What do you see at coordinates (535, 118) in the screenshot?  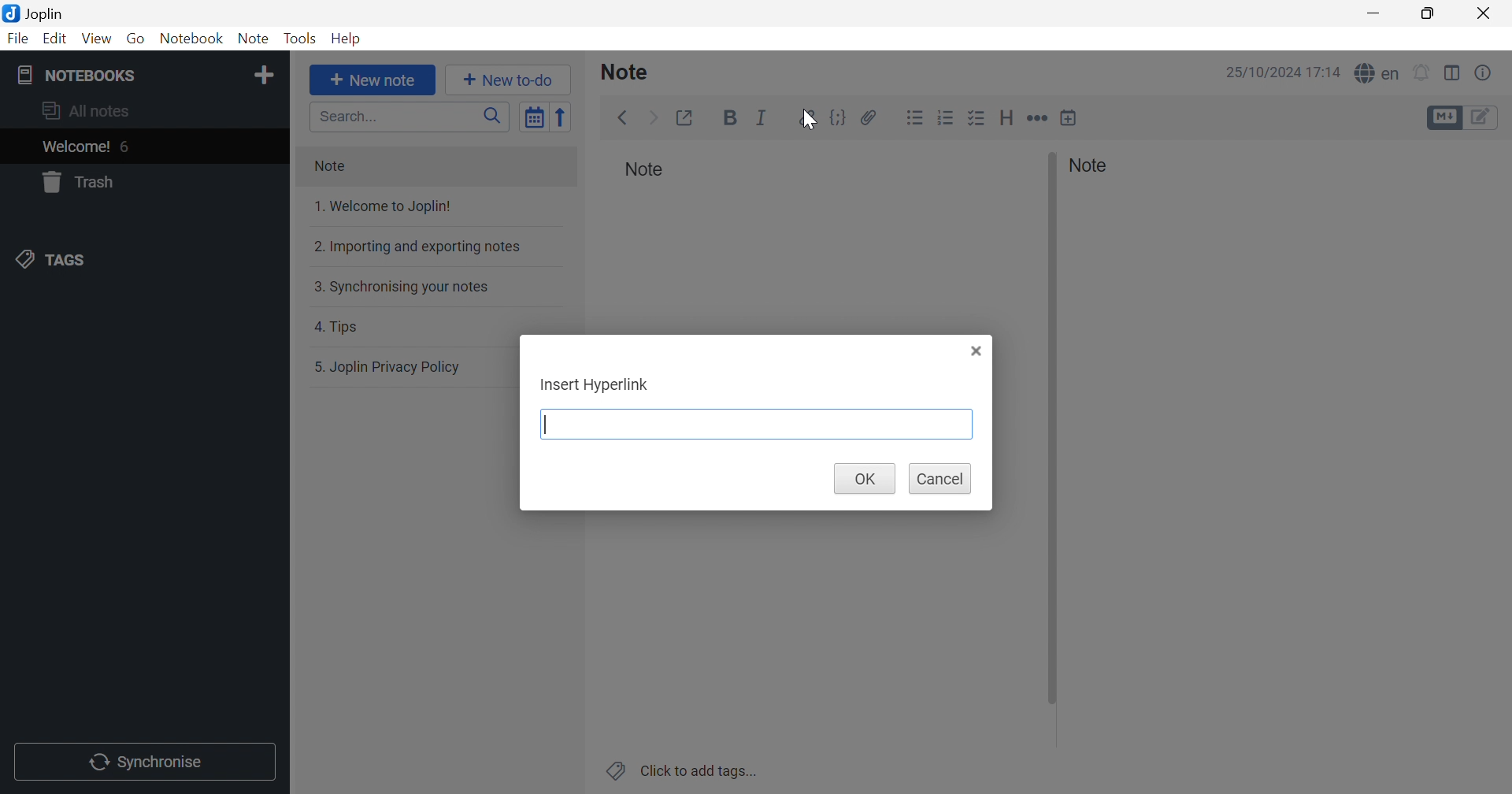 I see `Toggle sort order field: updated date -> created date` at bounding box center [535, 118].